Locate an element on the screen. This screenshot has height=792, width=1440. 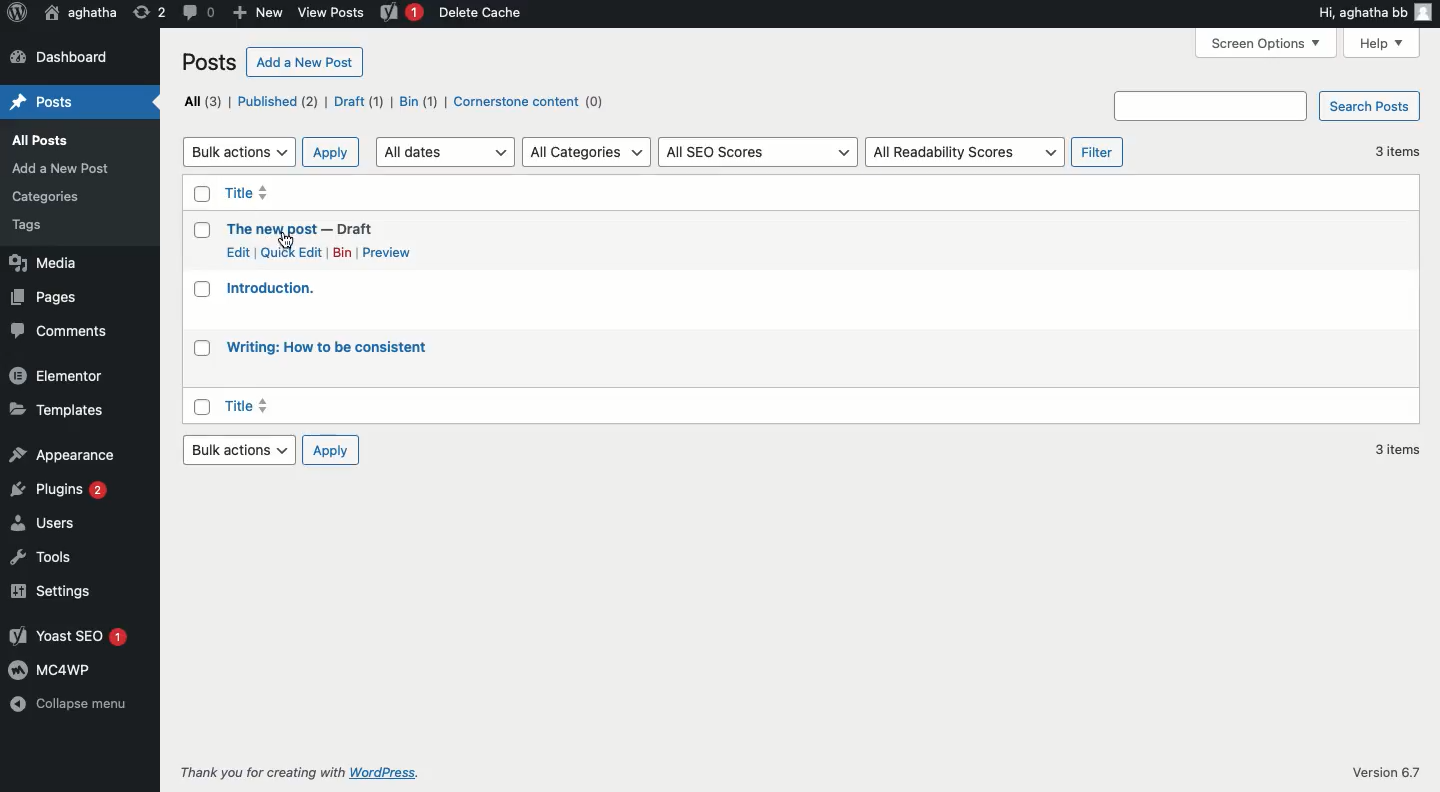
Bin is located at coordinates (338, 253).